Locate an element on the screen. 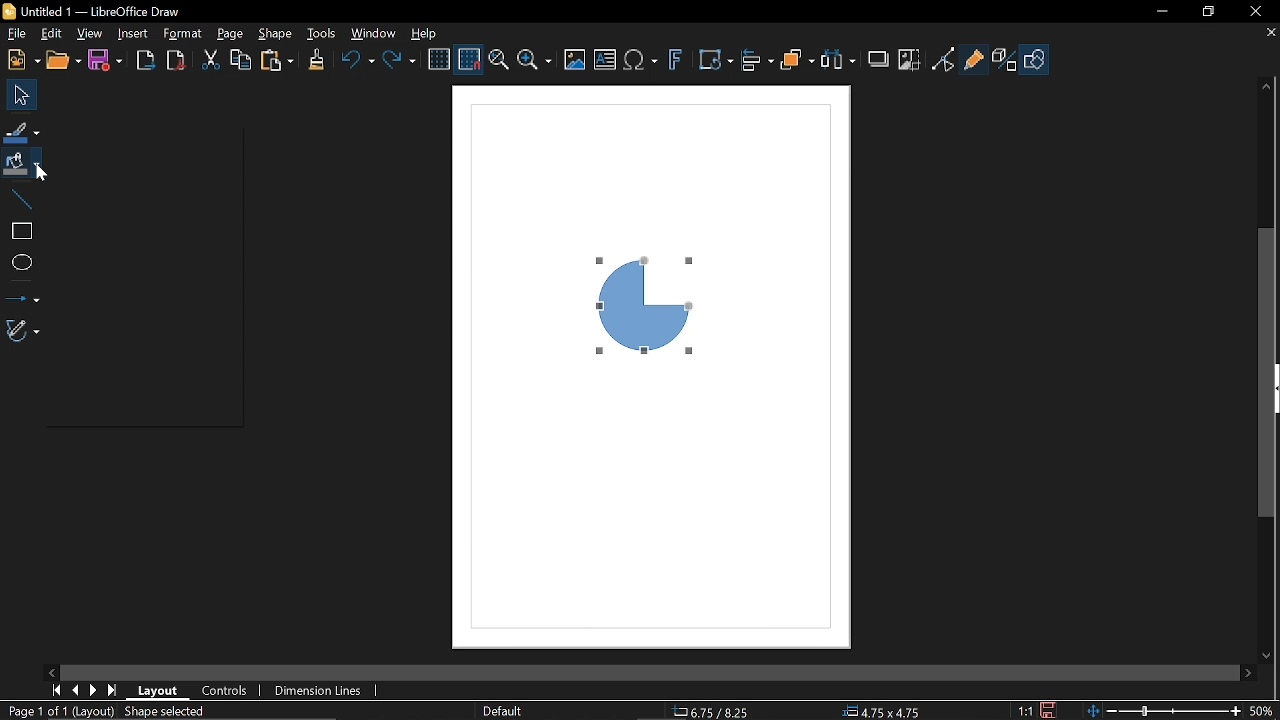 This screenshot has height=720, width=1280. Clone tool is located at coordinates (315, 62).